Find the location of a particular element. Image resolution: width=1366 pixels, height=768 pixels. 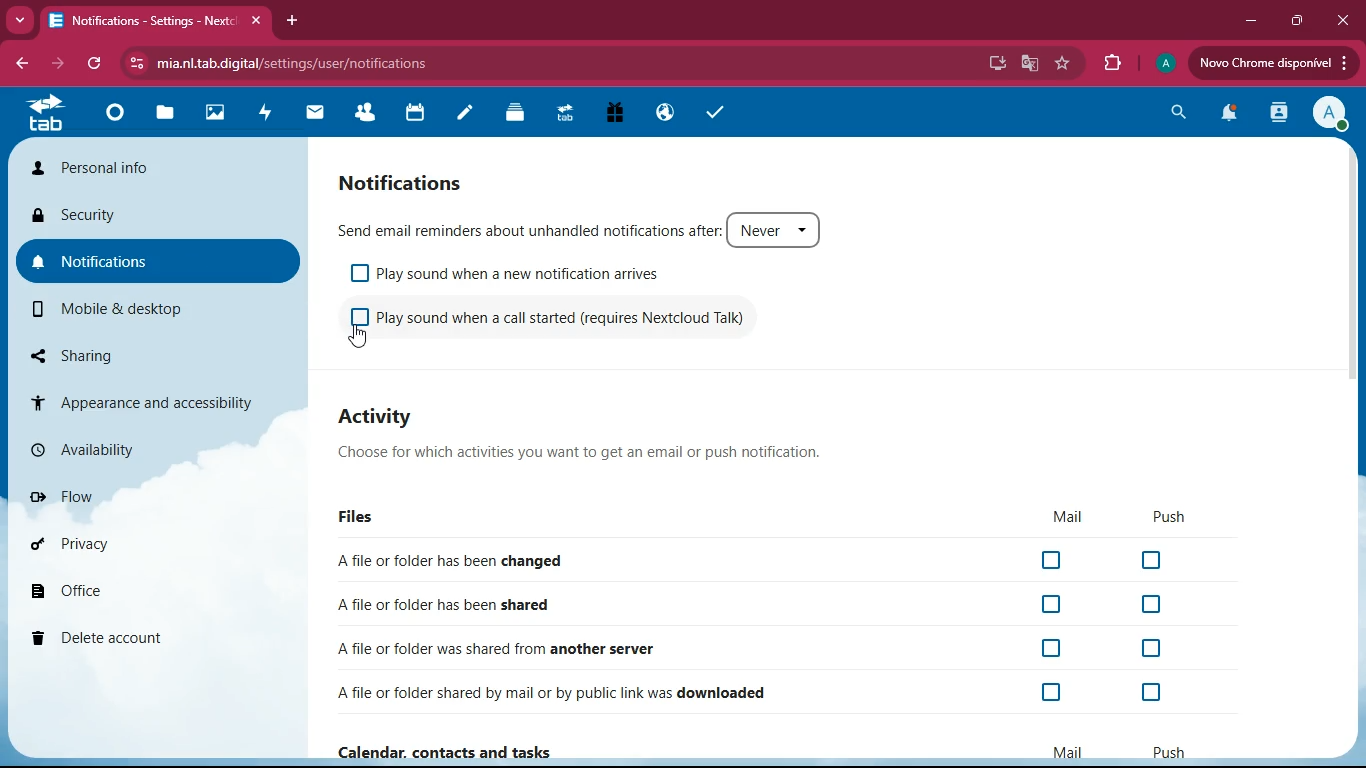

search is located at coordinates (1176, 111).